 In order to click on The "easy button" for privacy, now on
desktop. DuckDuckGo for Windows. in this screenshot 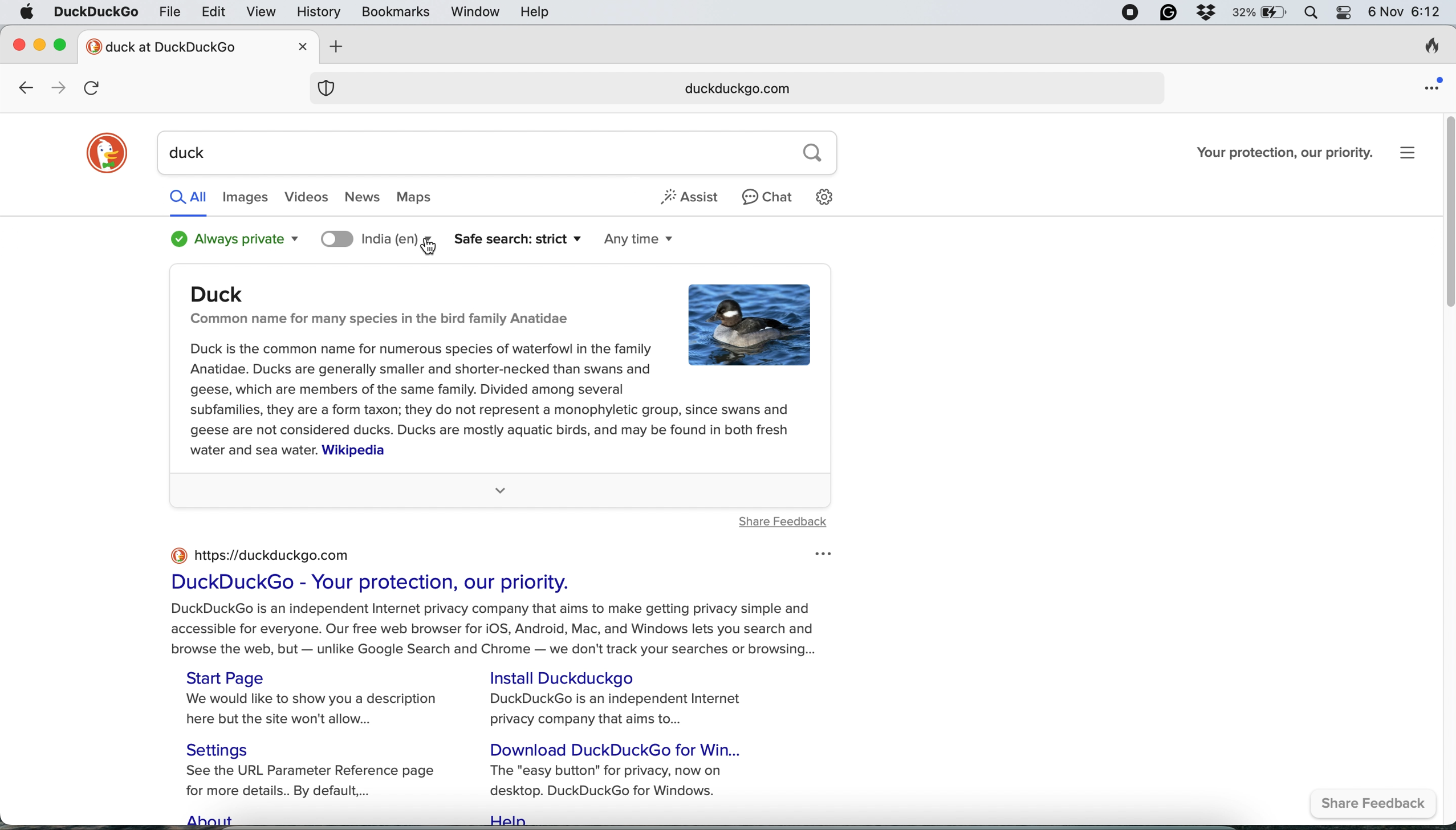, I will do `click(612, 780)`.